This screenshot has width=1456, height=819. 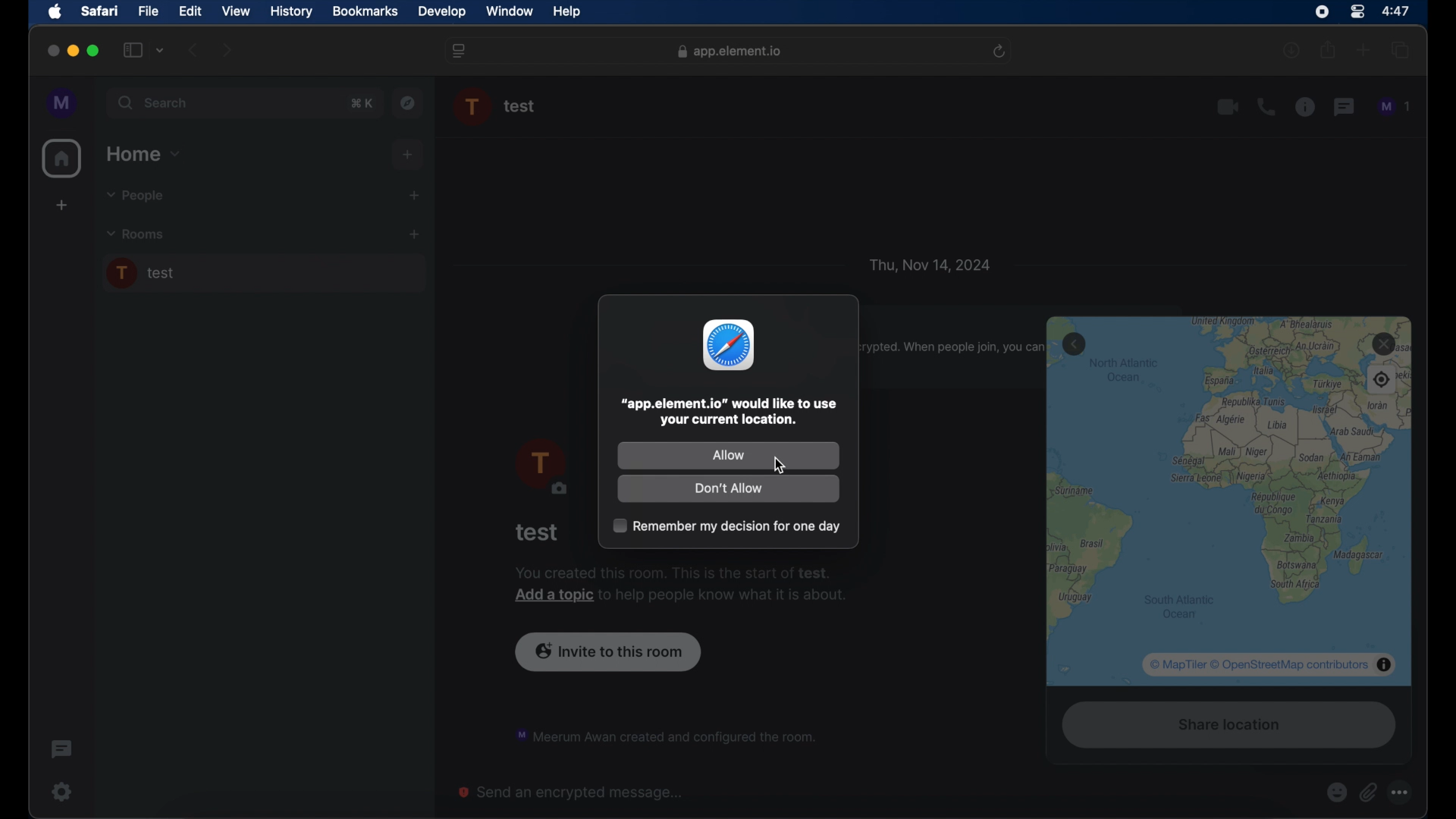 I want to click on search, so click(x=155, y=103).